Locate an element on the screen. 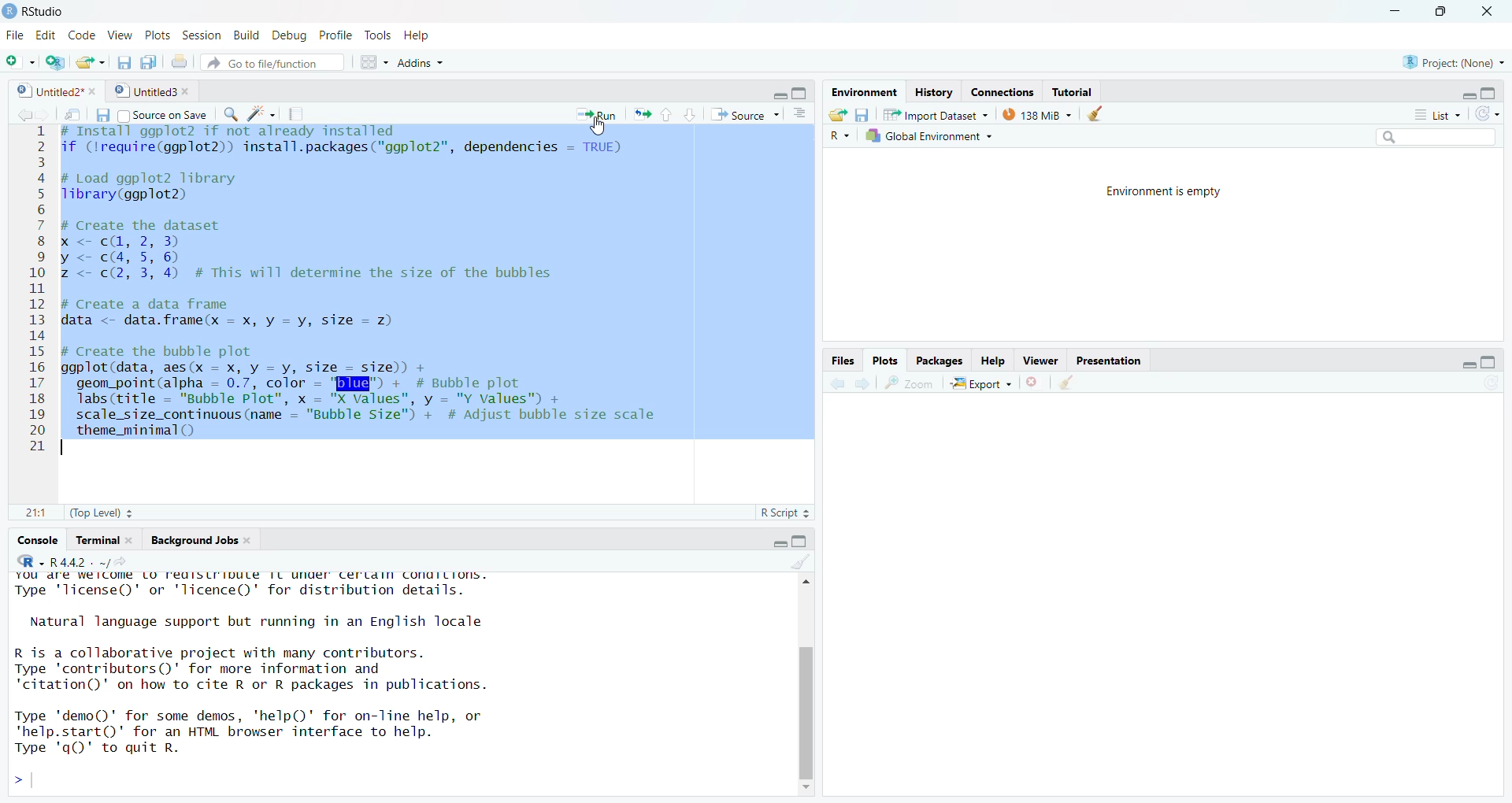 This screenshot has width=1512, height=803. Background Jobs is located at coordinates (199, 538).